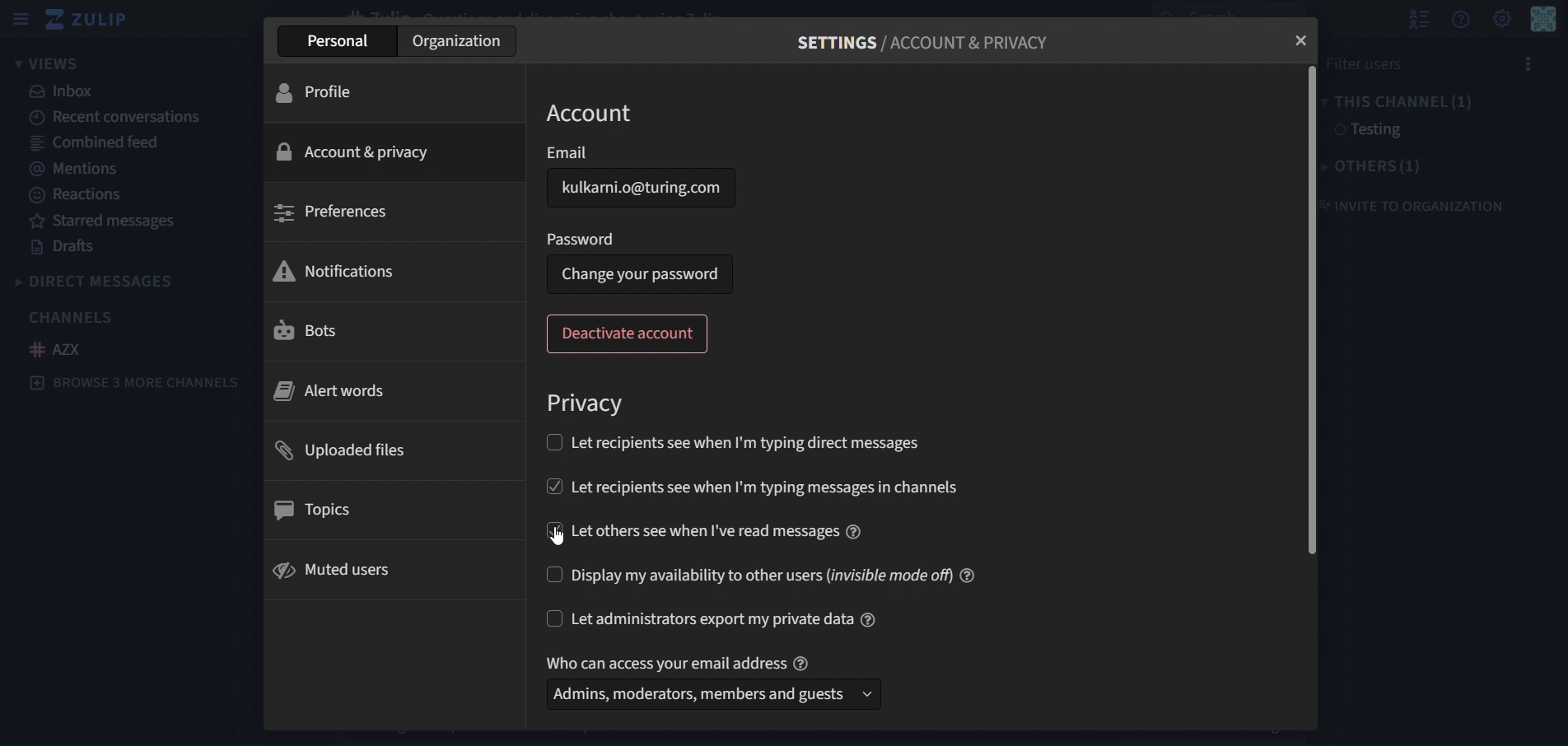  What do you see at coordinates (335, 569) in the screenshot?
I see `muted users` at bounding box center [335, 569].